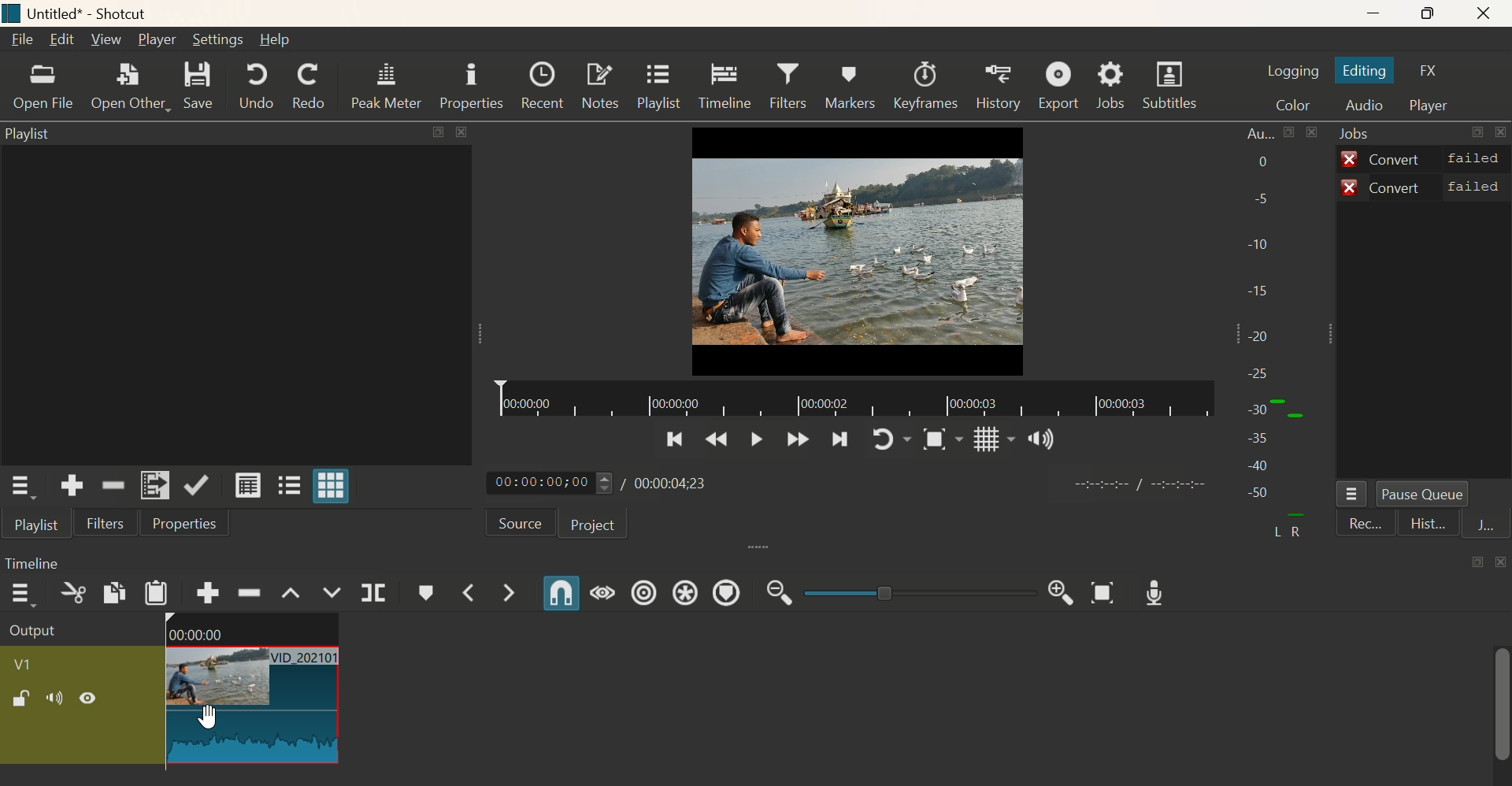 This screenshot has height=786, width=1512. Describe the element at coordinates (192, 528) in the screenshot. I see `` at that location.